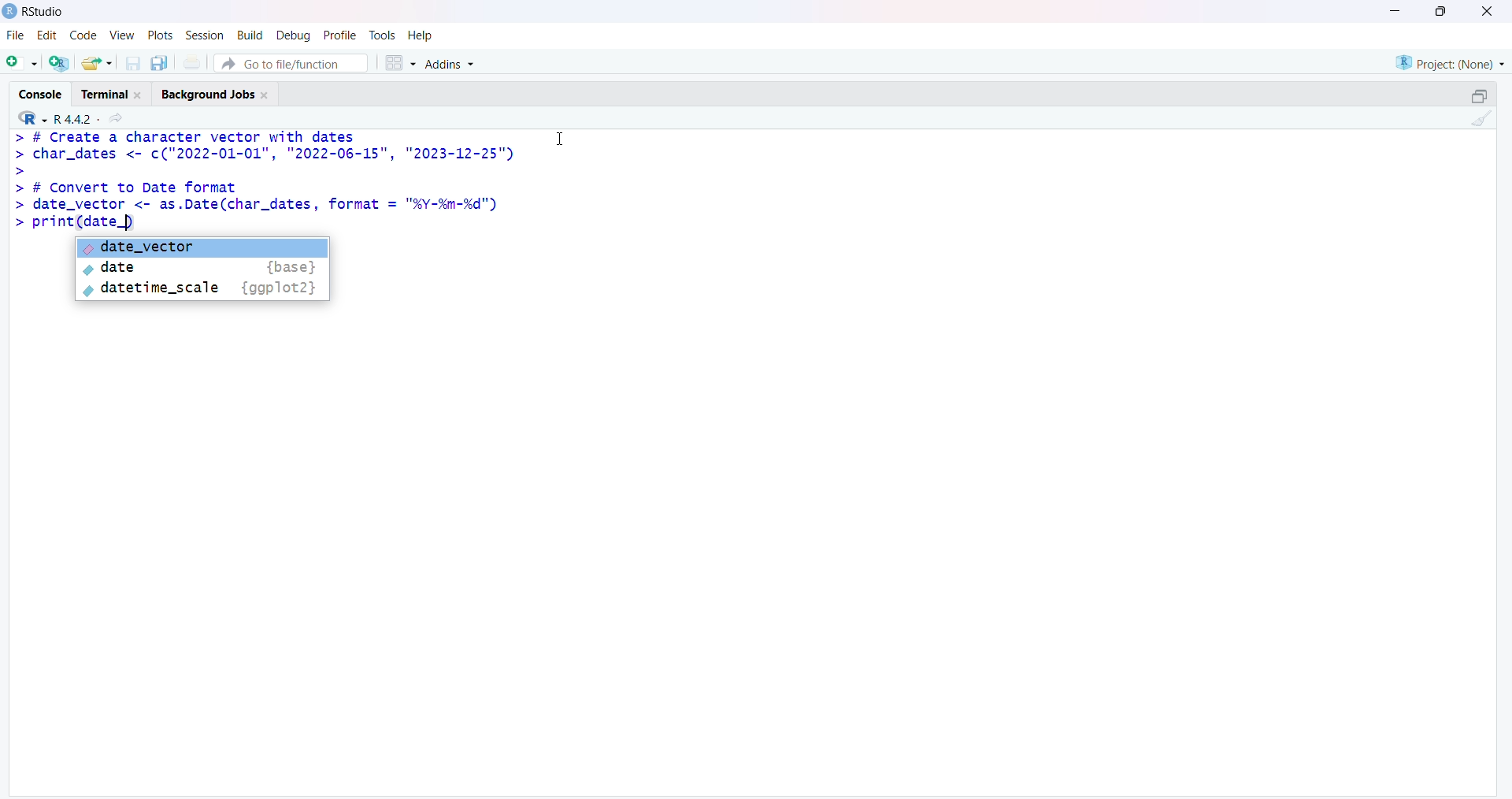 This screenshot has height=799, width=1512. I want to click on Build, so click(246, 36).